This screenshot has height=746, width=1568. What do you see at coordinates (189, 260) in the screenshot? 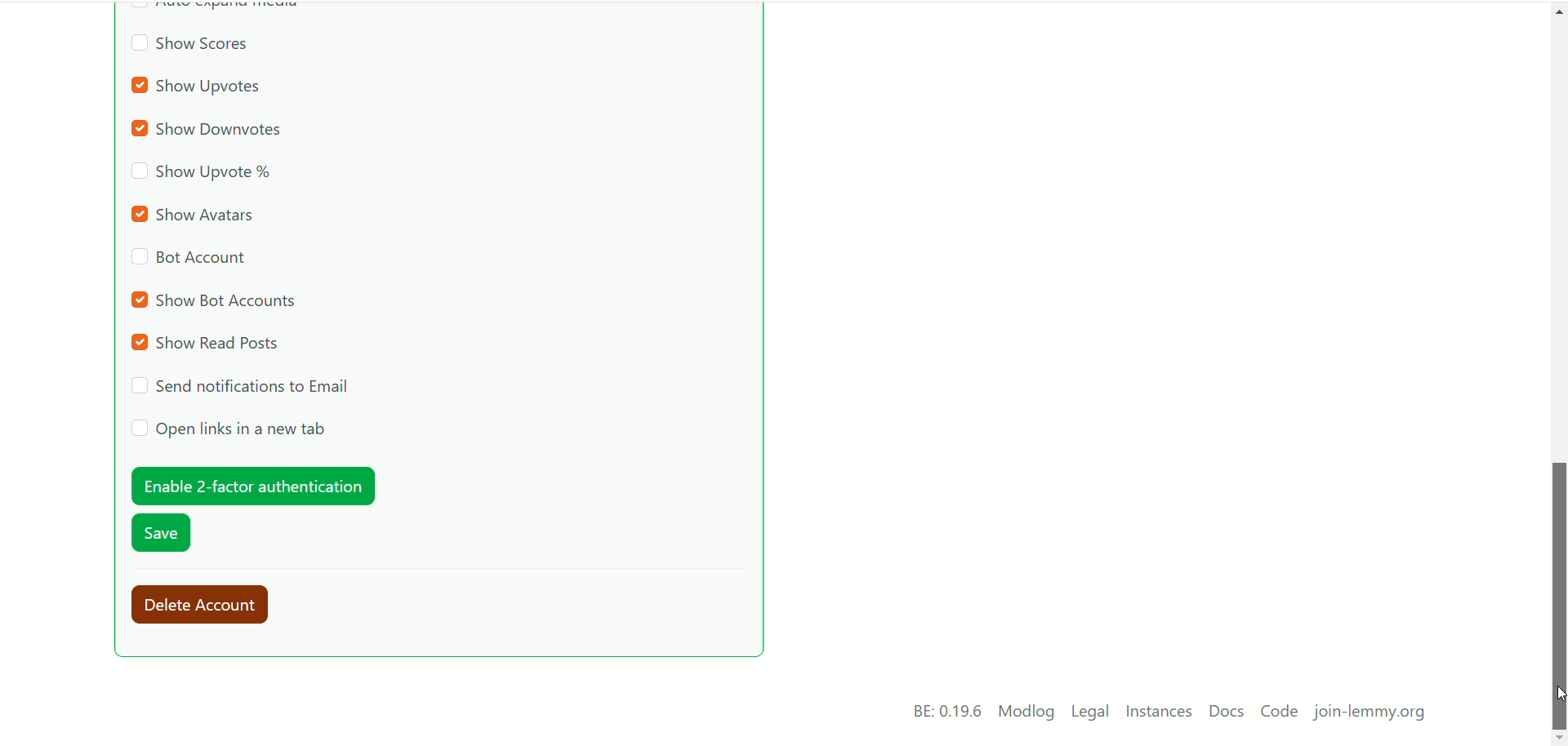
I see `bot account` at bounding box center [189, 260].